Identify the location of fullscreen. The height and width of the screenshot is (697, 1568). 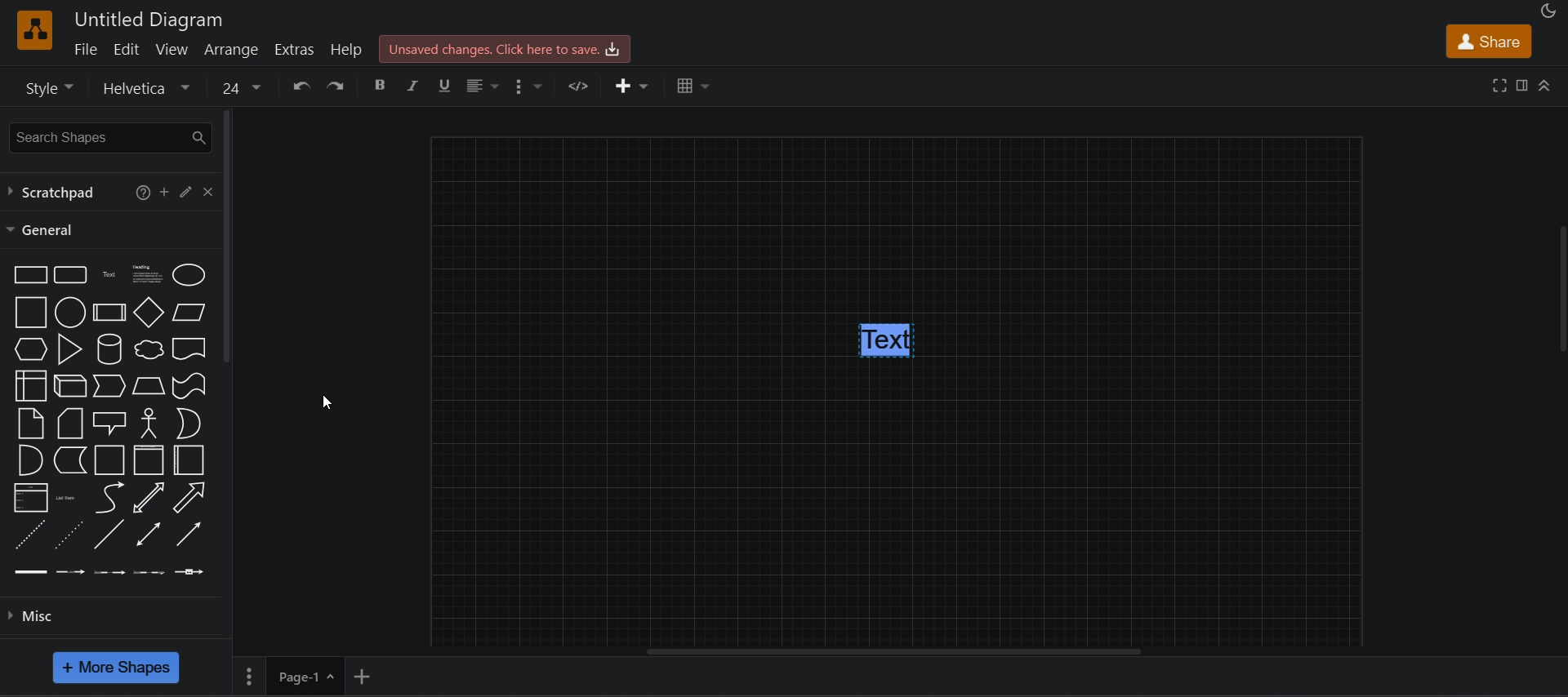
(1499, 85).